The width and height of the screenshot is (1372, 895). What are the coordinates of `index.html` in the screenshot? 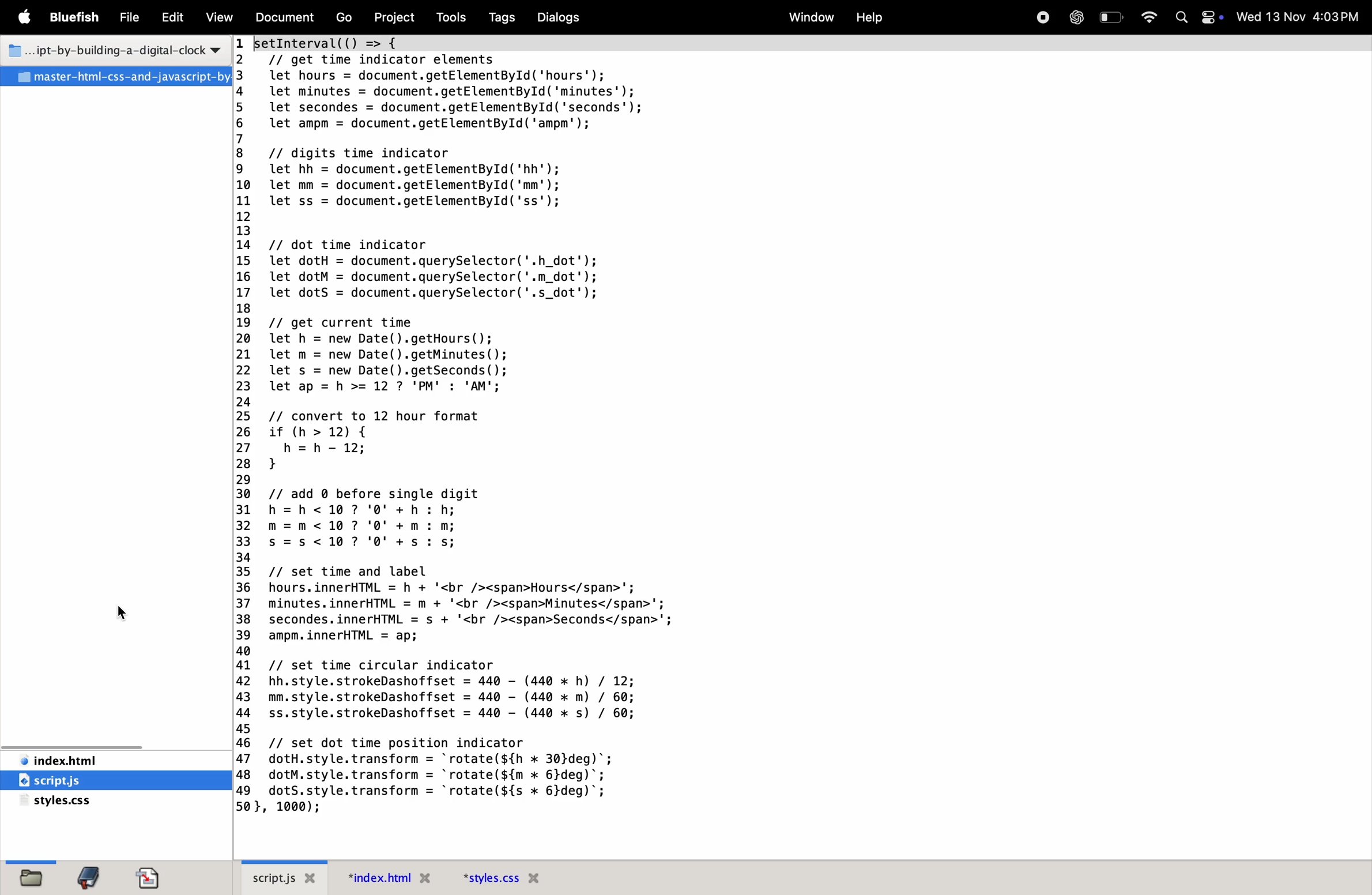 It's located at (107, 760).